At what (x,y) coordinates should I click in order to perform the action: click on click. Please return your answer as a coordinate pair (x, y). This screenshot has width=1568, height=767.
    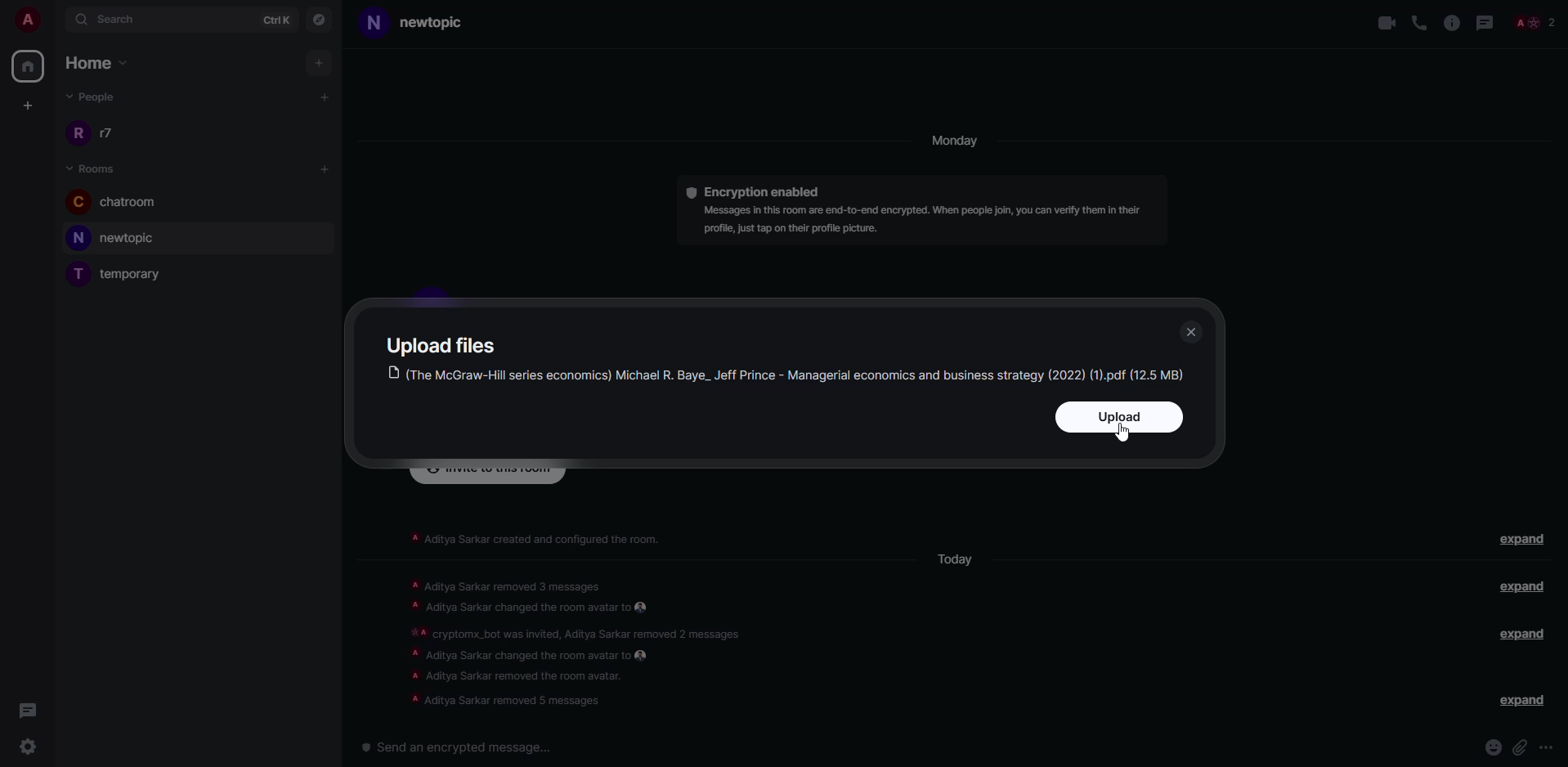
    Looking at the image, I should click on (1520, 747).